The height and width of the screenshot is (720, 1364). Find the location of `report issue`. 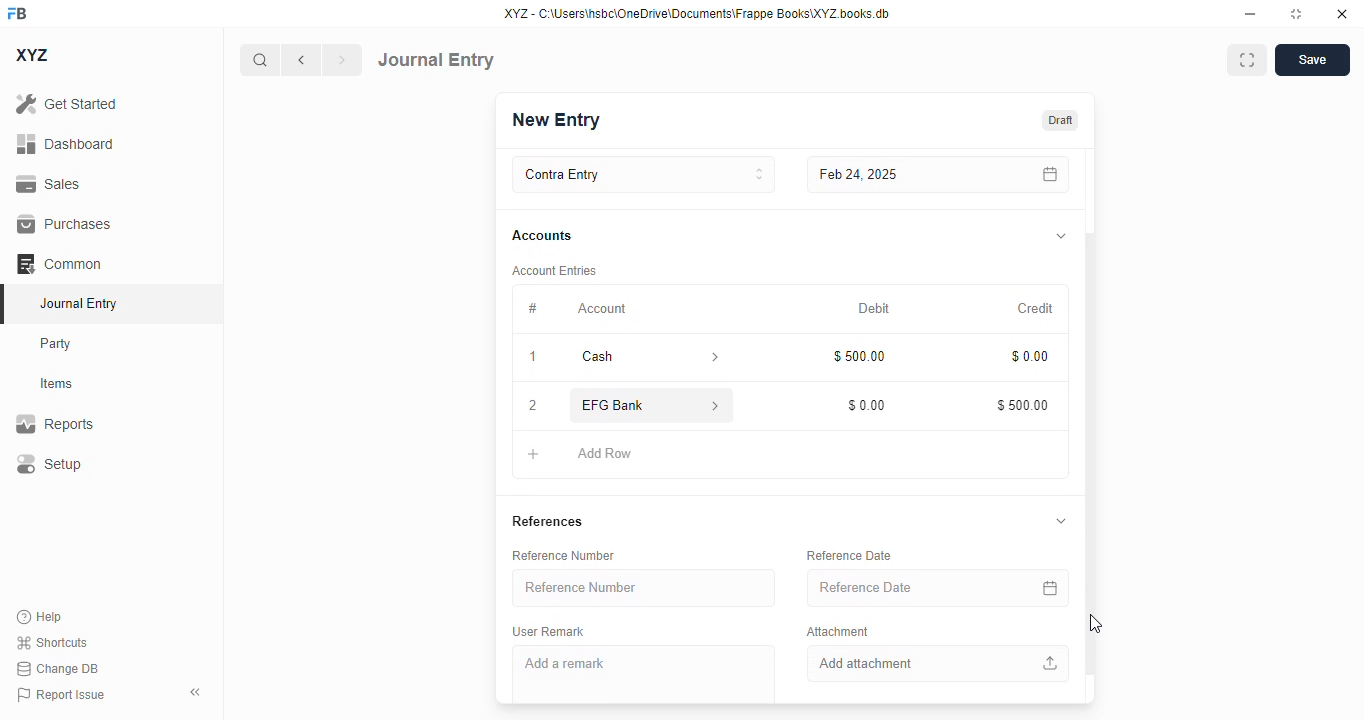

report issue is located at coordinates (61, 694).